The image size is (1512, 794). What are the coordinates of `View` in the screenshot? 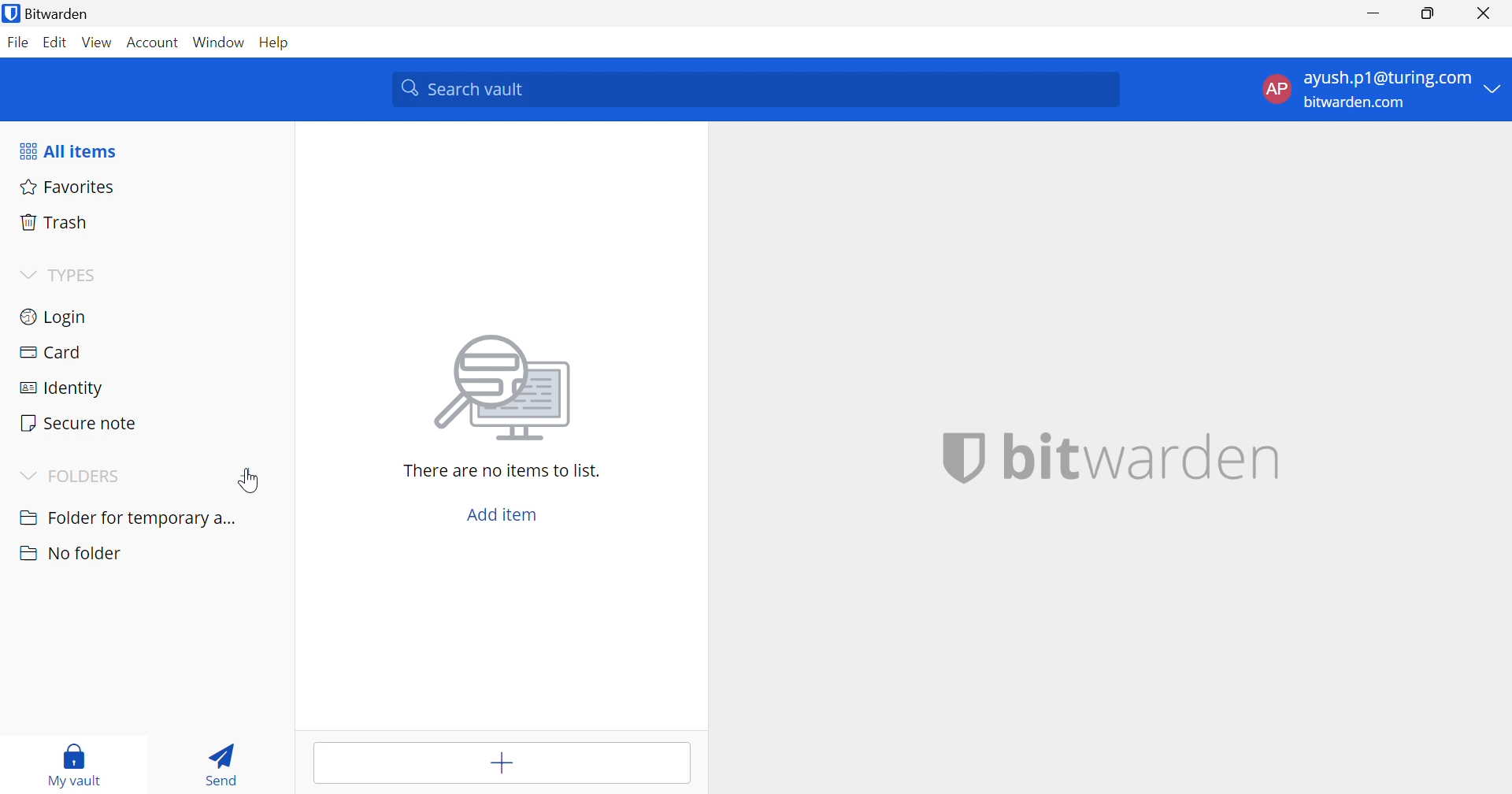 It's located at (98, 43).